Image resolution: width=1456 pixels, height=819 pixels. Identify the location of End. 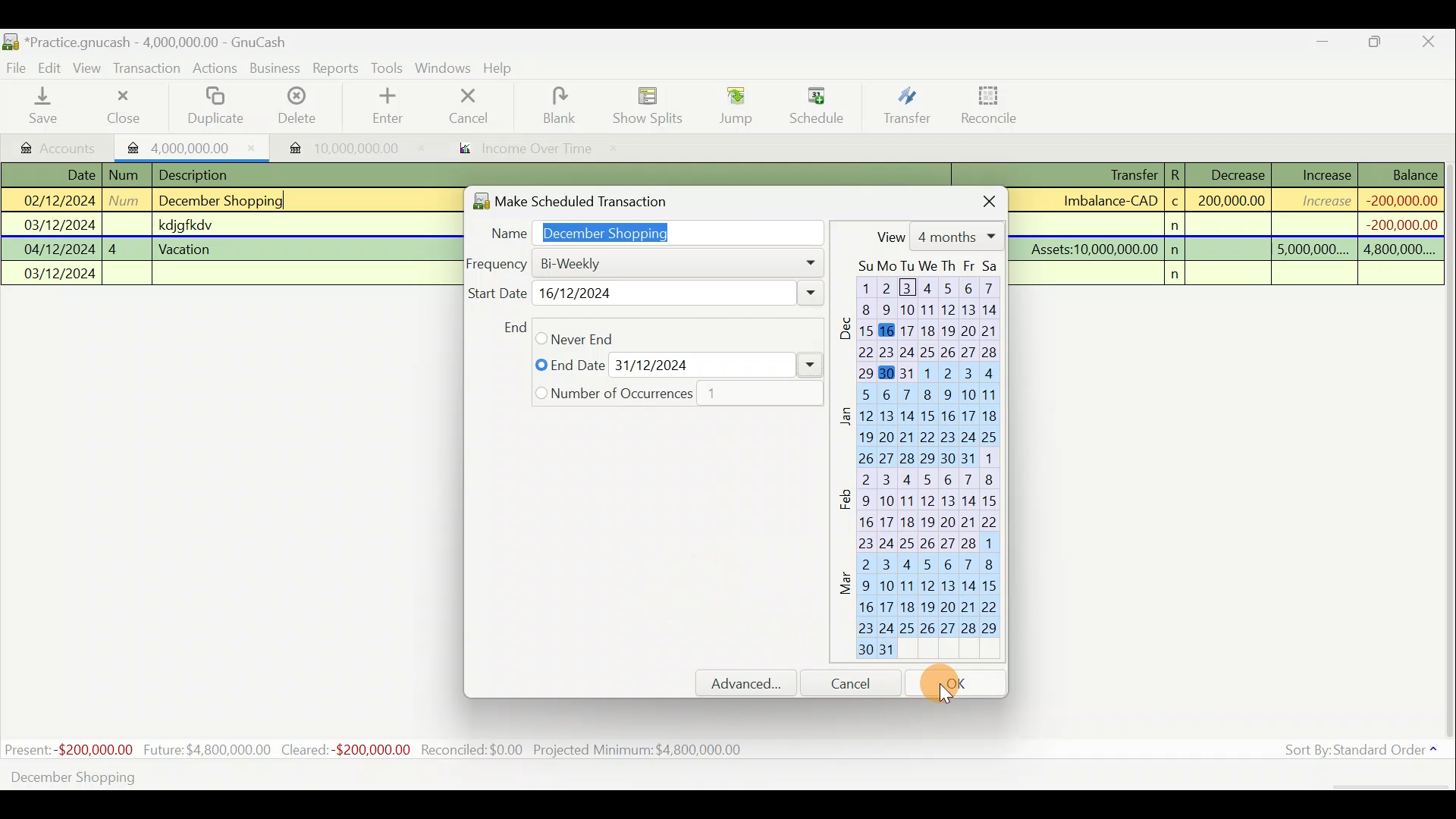
(513, 327).